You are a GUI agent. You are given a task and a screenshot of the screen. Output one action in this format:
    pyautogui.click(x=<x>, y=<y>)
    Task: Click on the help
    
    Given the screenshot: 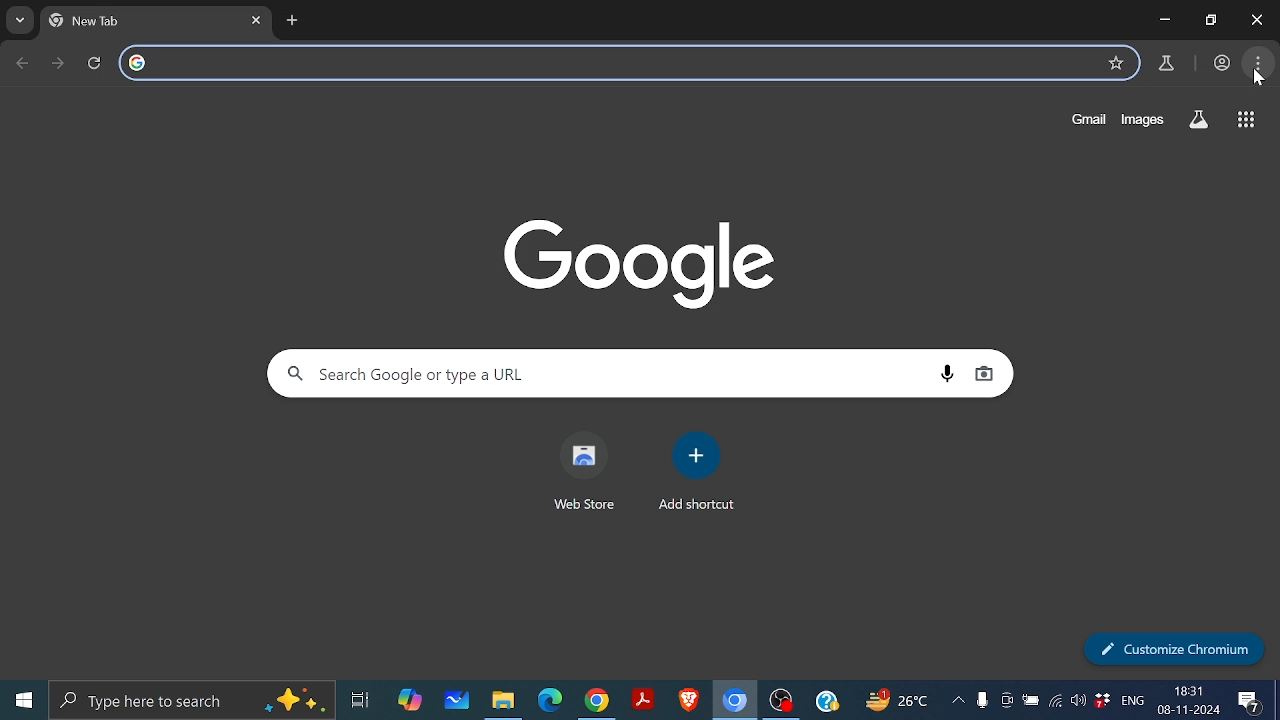 What is the action you would take?
    pyautogui.click(x=827, y=703)
    